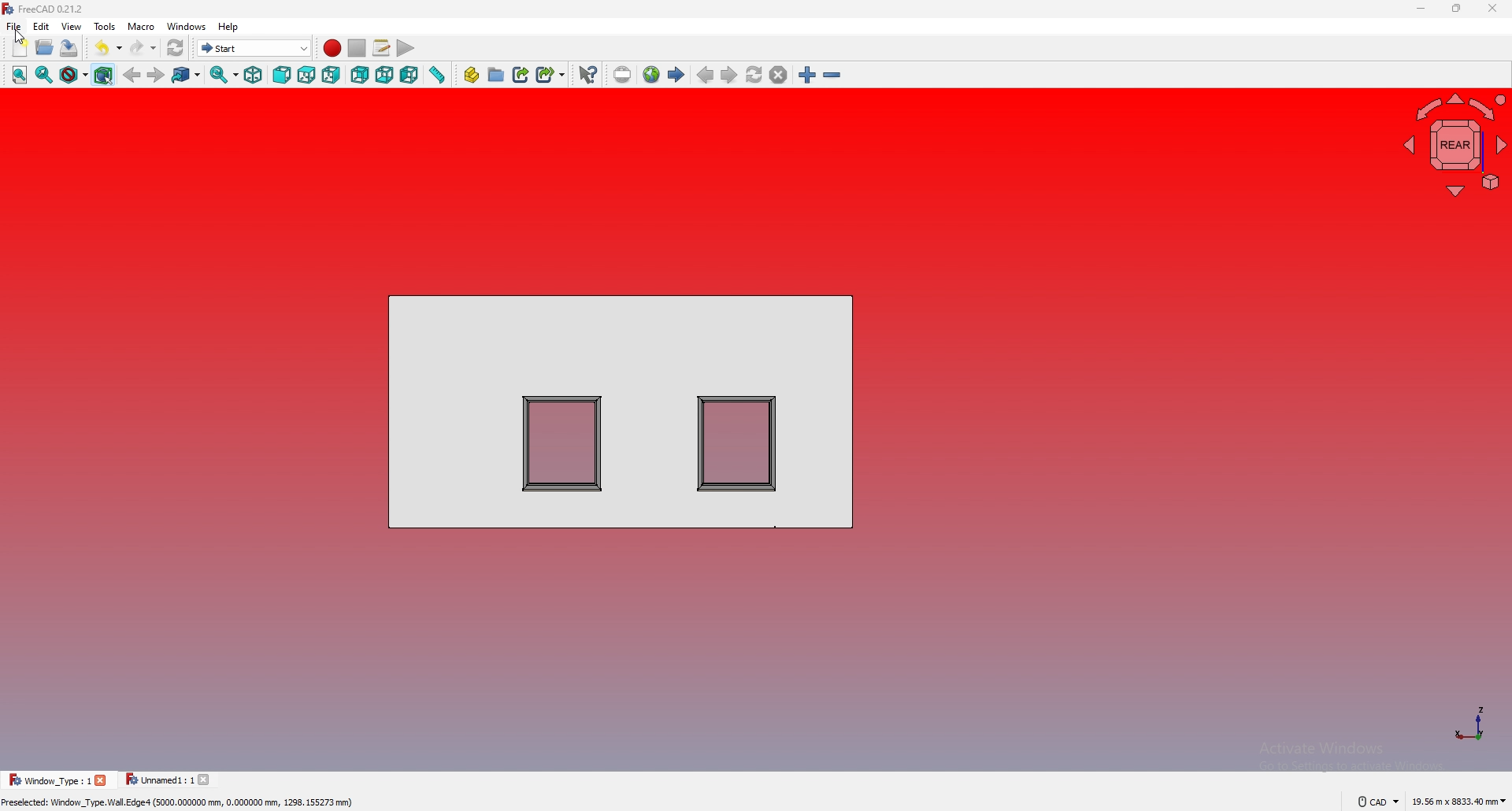 Image resolution: width=1512 pixels, height=811 pixels. Describe the element at coordinates (175, 48) in the screenshot. I see `refresh` at that location.